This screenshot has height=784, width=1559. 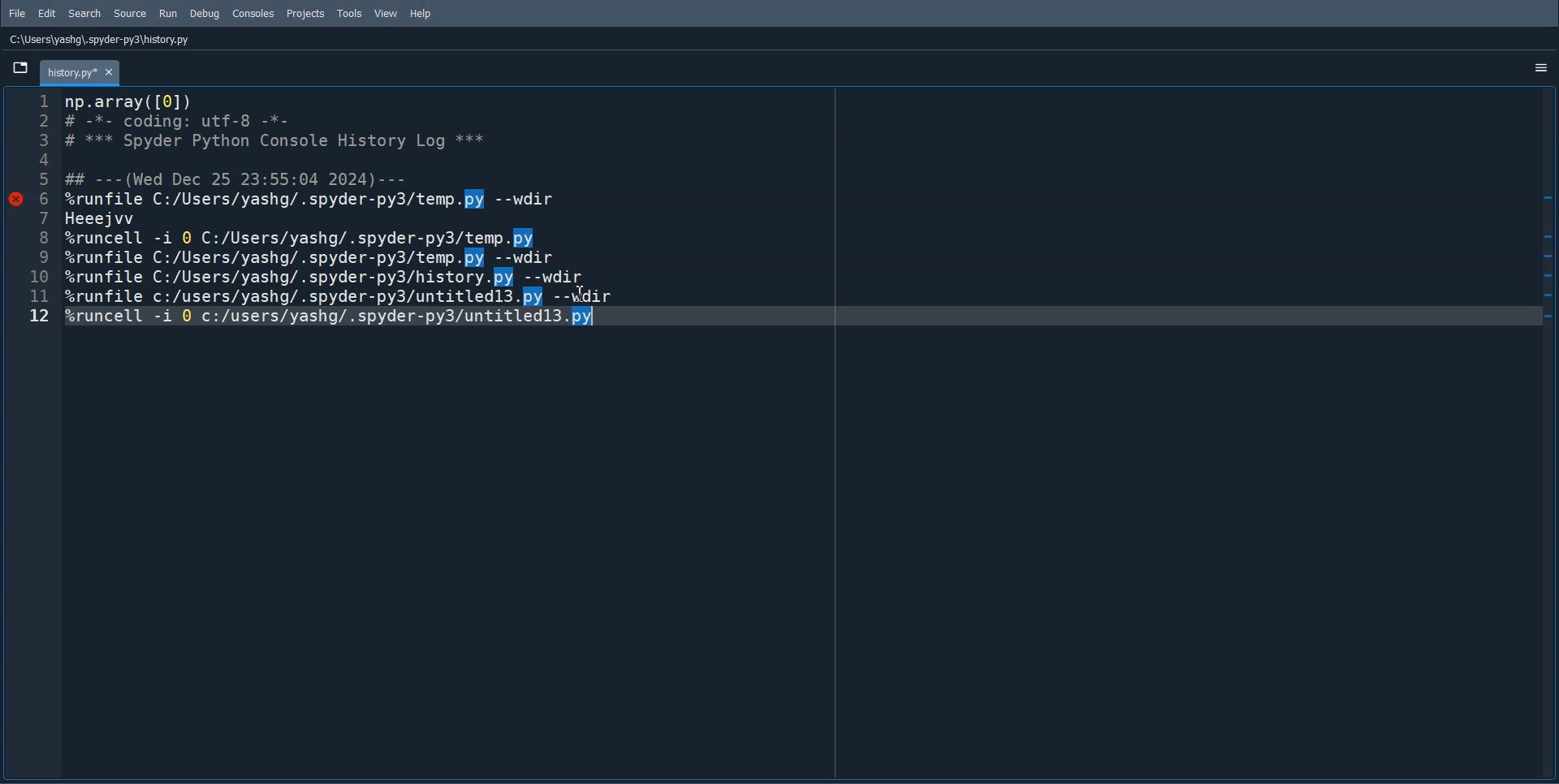 I want to click on Line Number, so click(x=32, y=225).